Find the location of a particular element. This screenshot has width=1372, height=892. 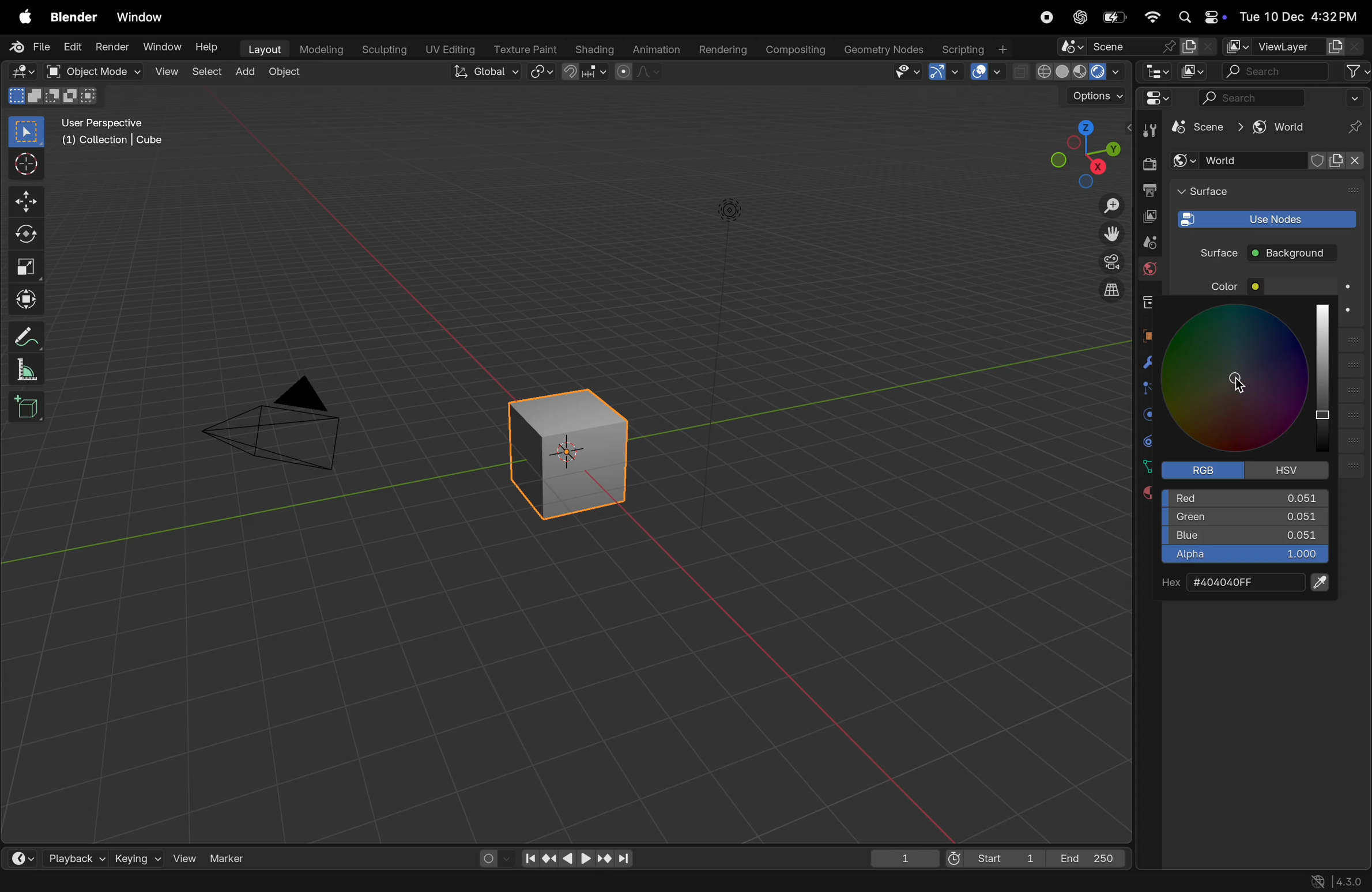

render is located at coordinates (112, 48).